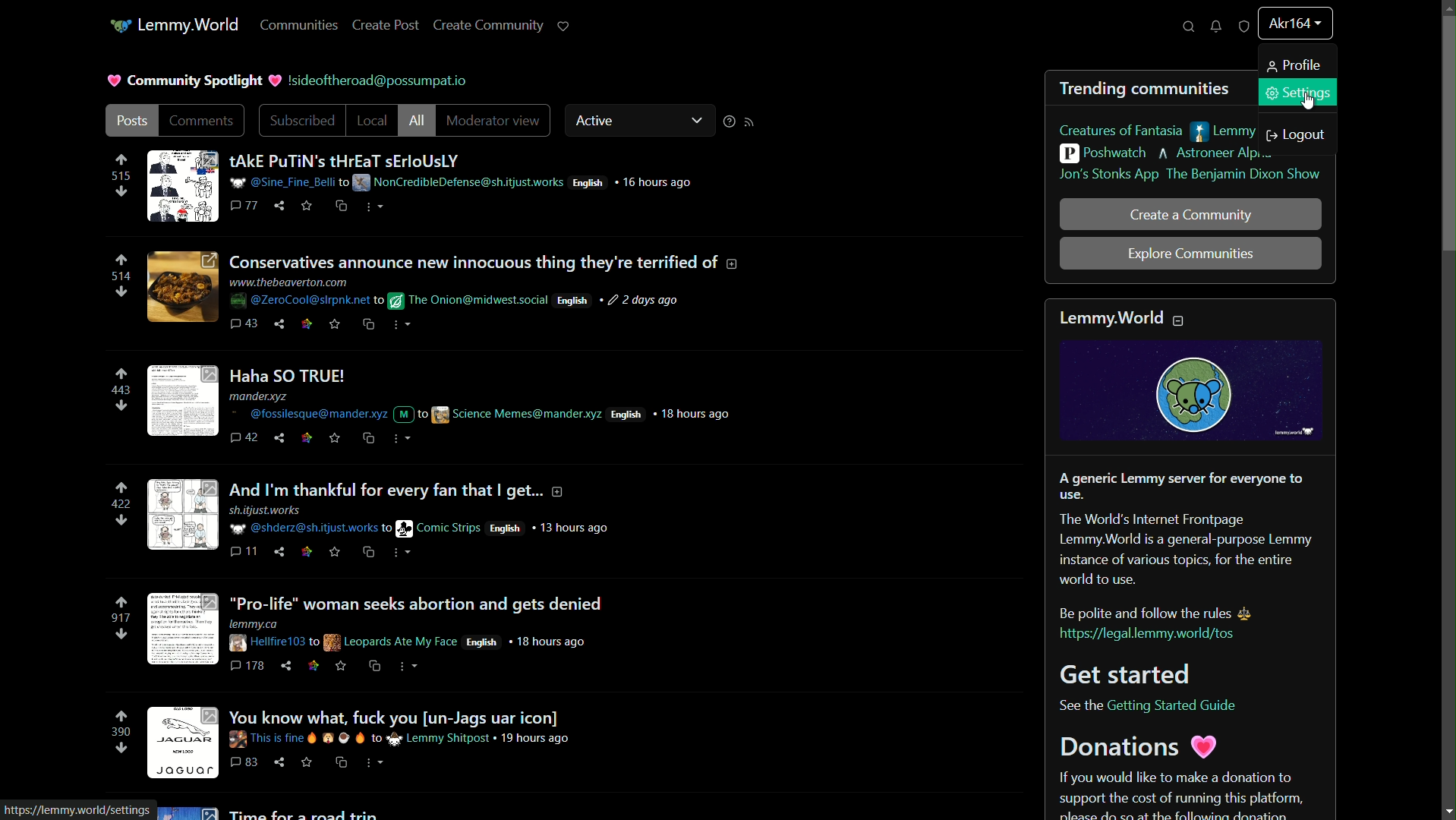 Image resolution: width=1456 pixels, height=820 pixels. I want to click on settings, so click(1298, 92).